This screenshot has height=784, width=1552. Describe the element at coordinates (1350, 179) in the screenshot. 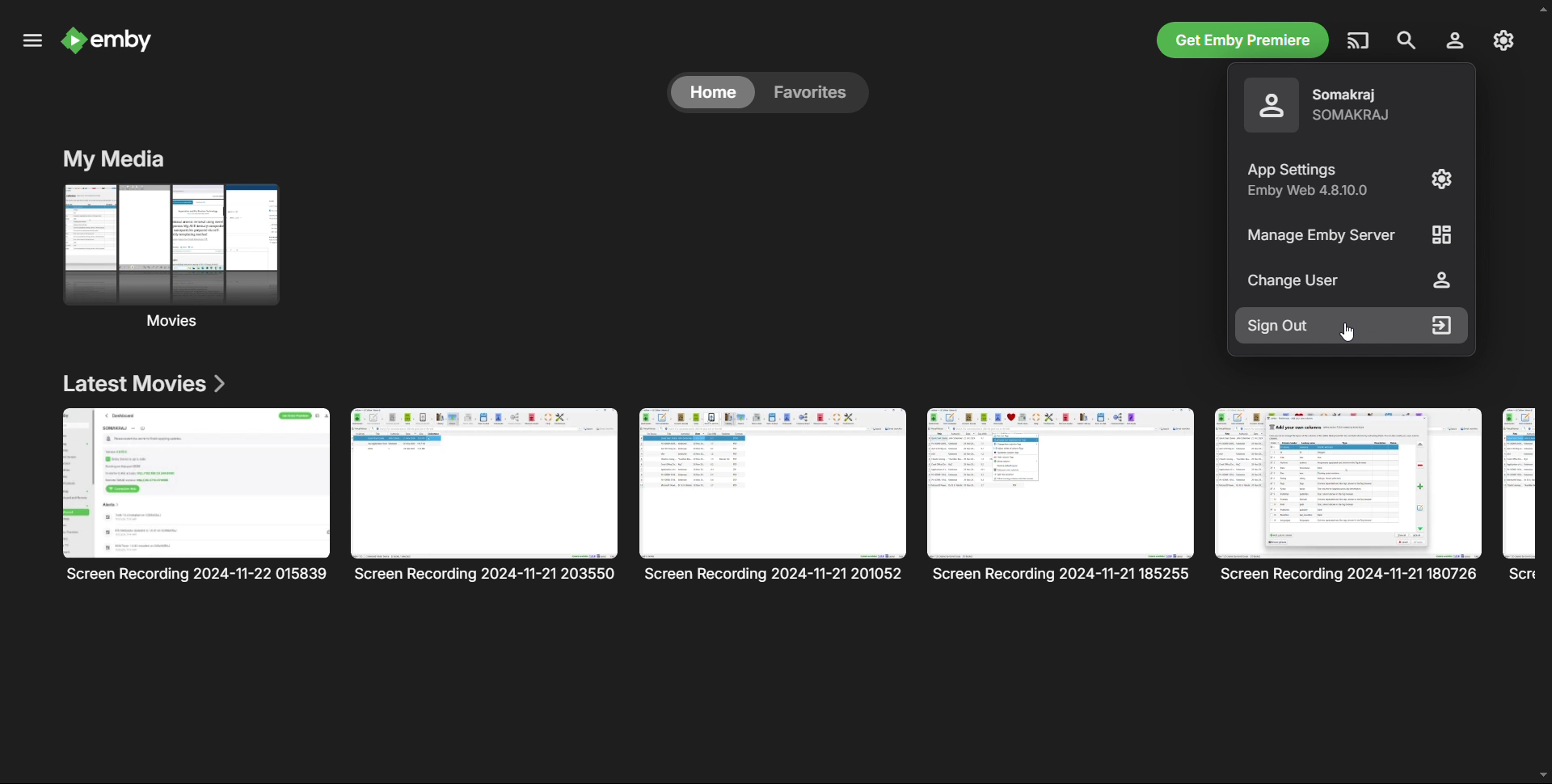

I see `app settings` at that location.